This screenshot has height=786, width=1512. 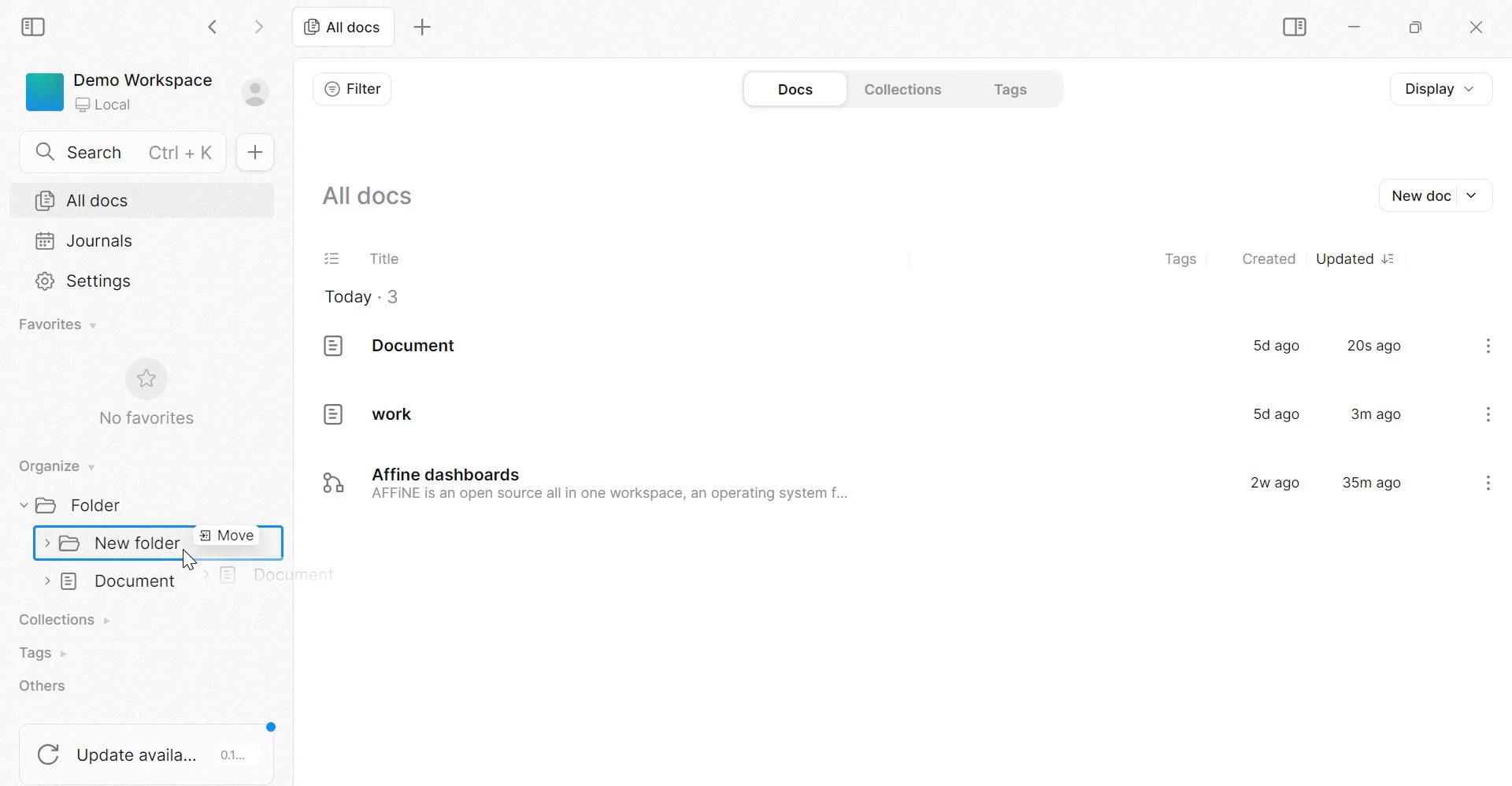 I want to click on others, so click(x=46, y=686).